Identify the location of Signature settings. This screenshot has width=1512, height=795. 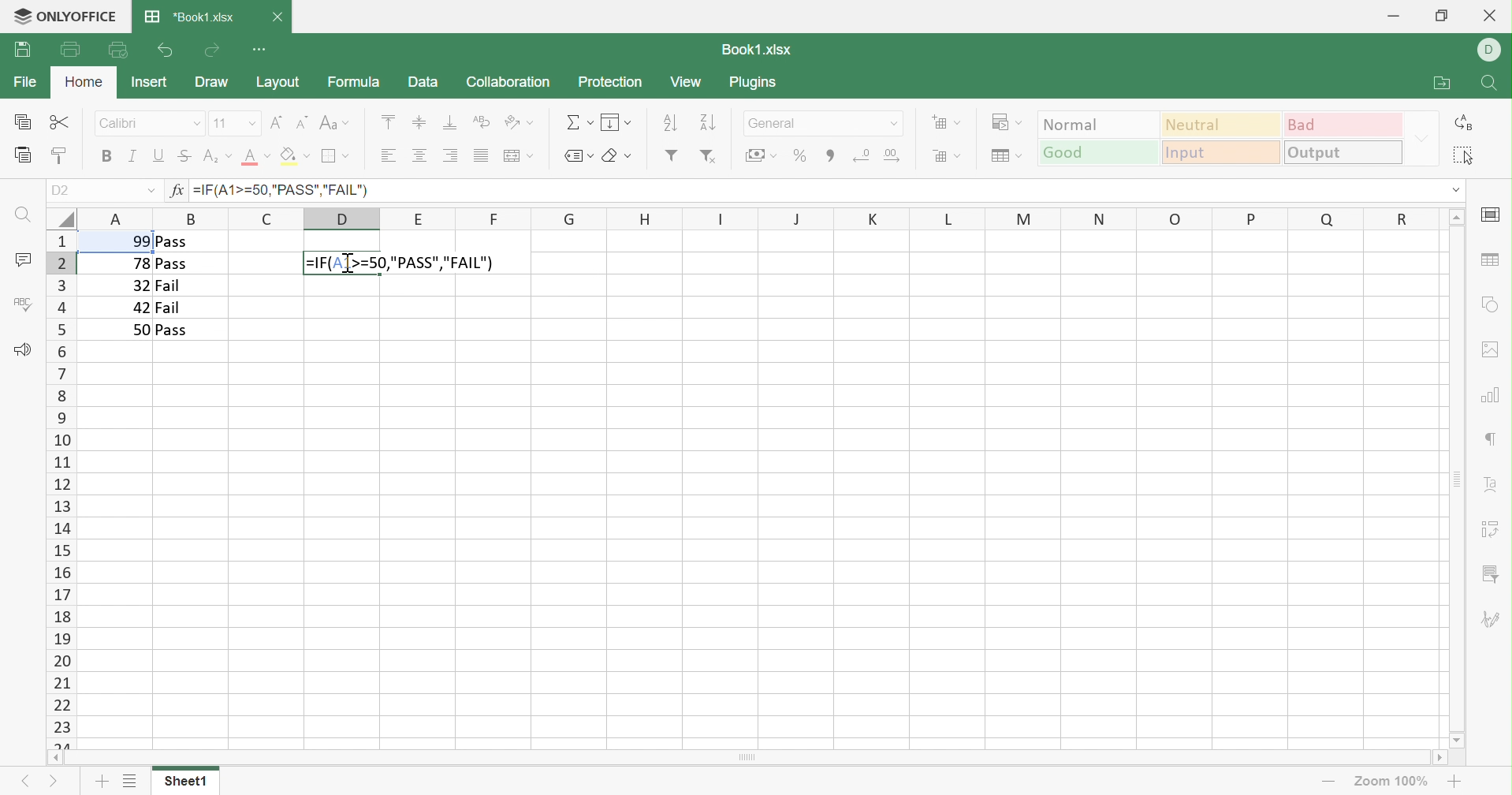
(1494, 618).